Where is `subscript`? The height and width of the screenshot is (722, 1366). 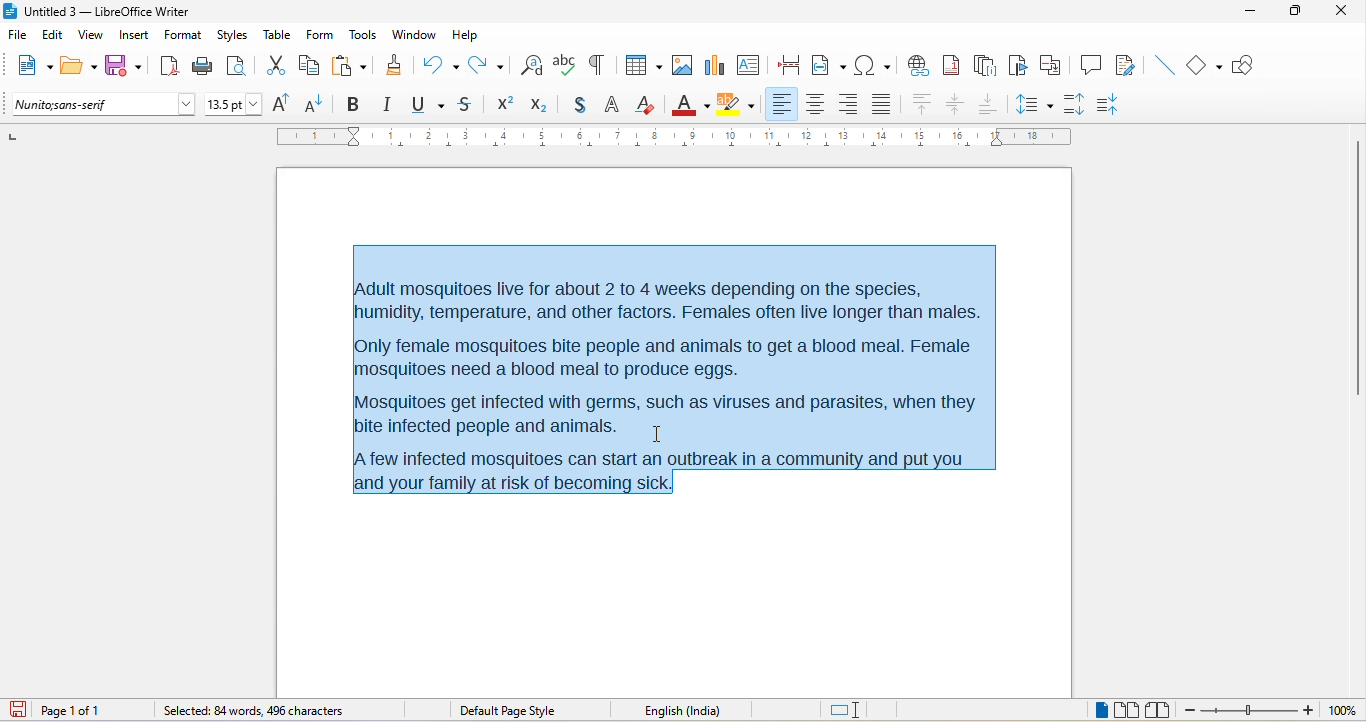 subscript is located at coordinates (544, 103).